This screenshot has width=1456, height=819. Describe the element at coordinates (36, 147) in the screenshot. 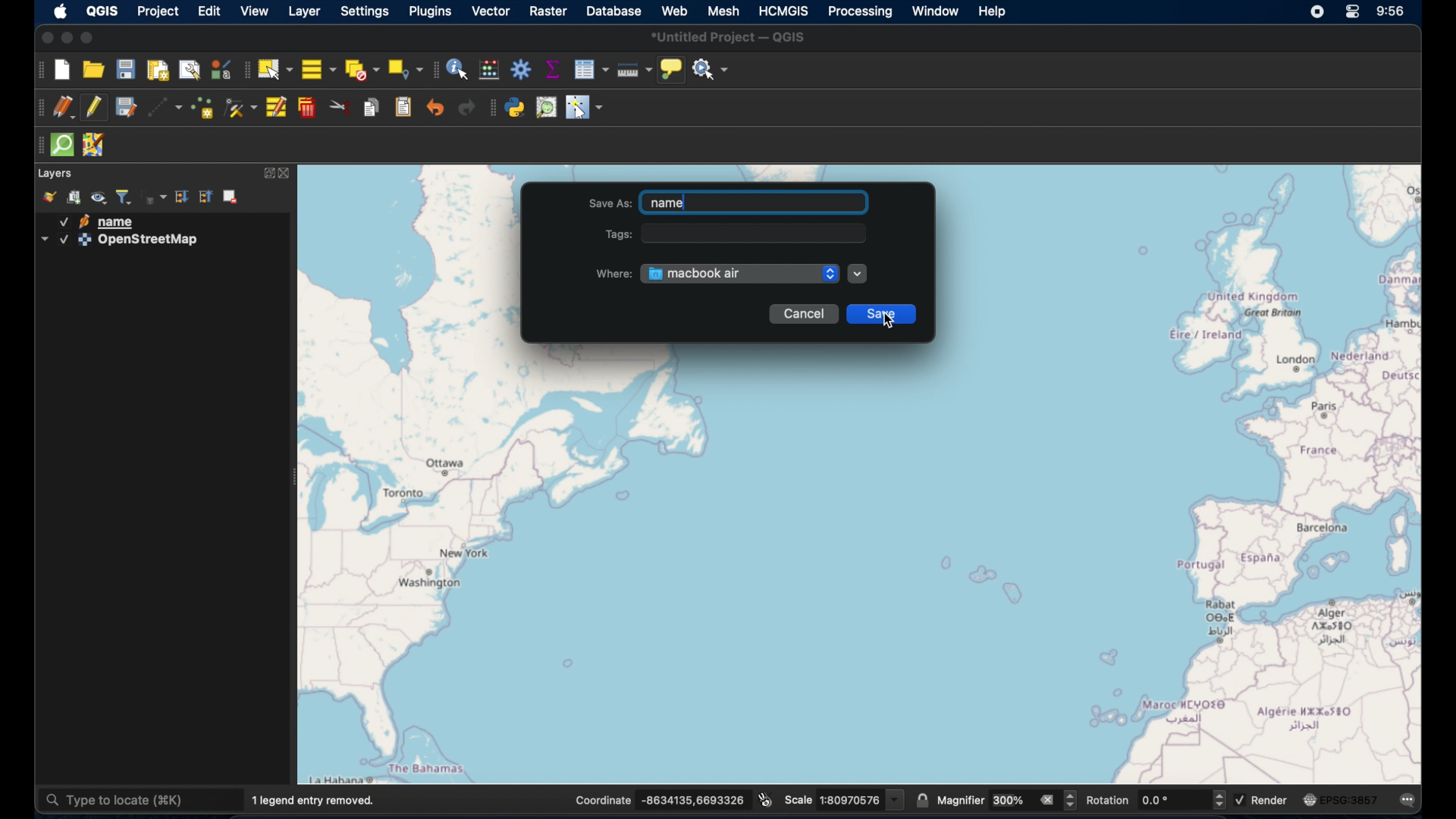

I see `drag handles` at that location.